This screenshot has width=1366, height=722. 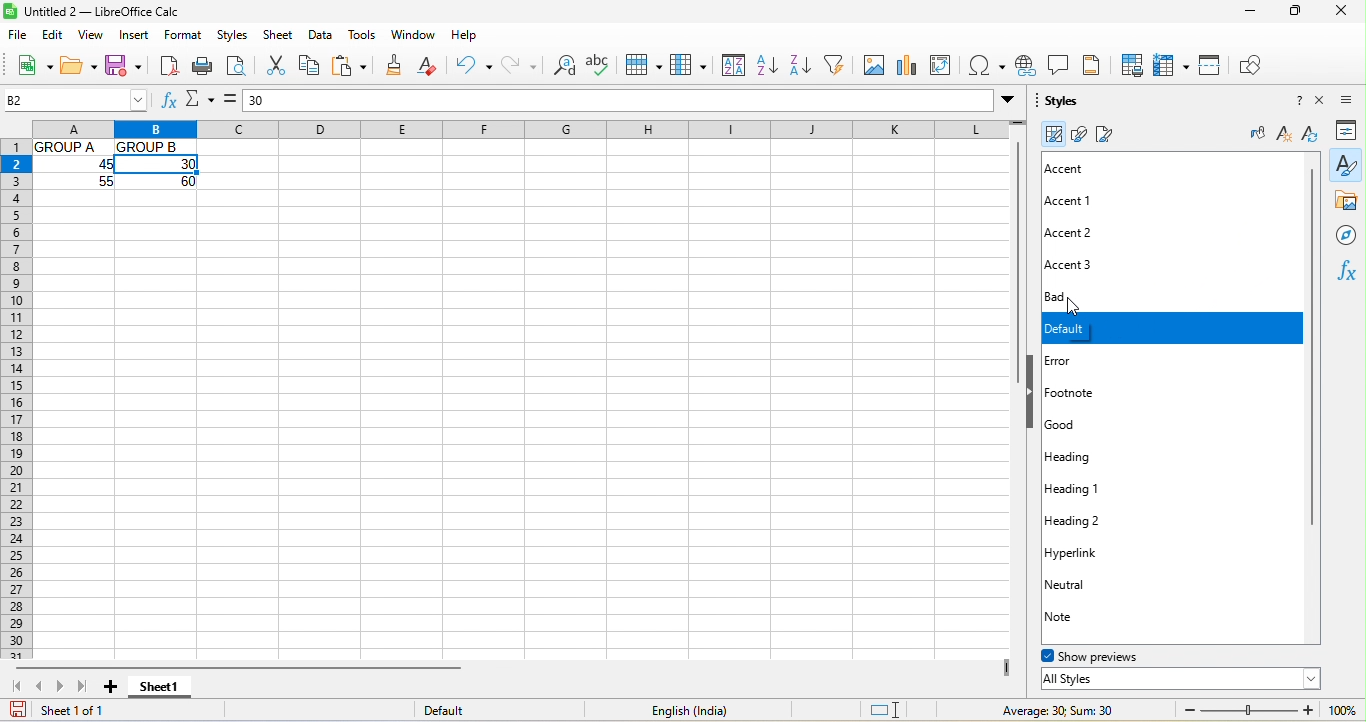 I want to click on export directly as pdf, so click(x=168, y=68).